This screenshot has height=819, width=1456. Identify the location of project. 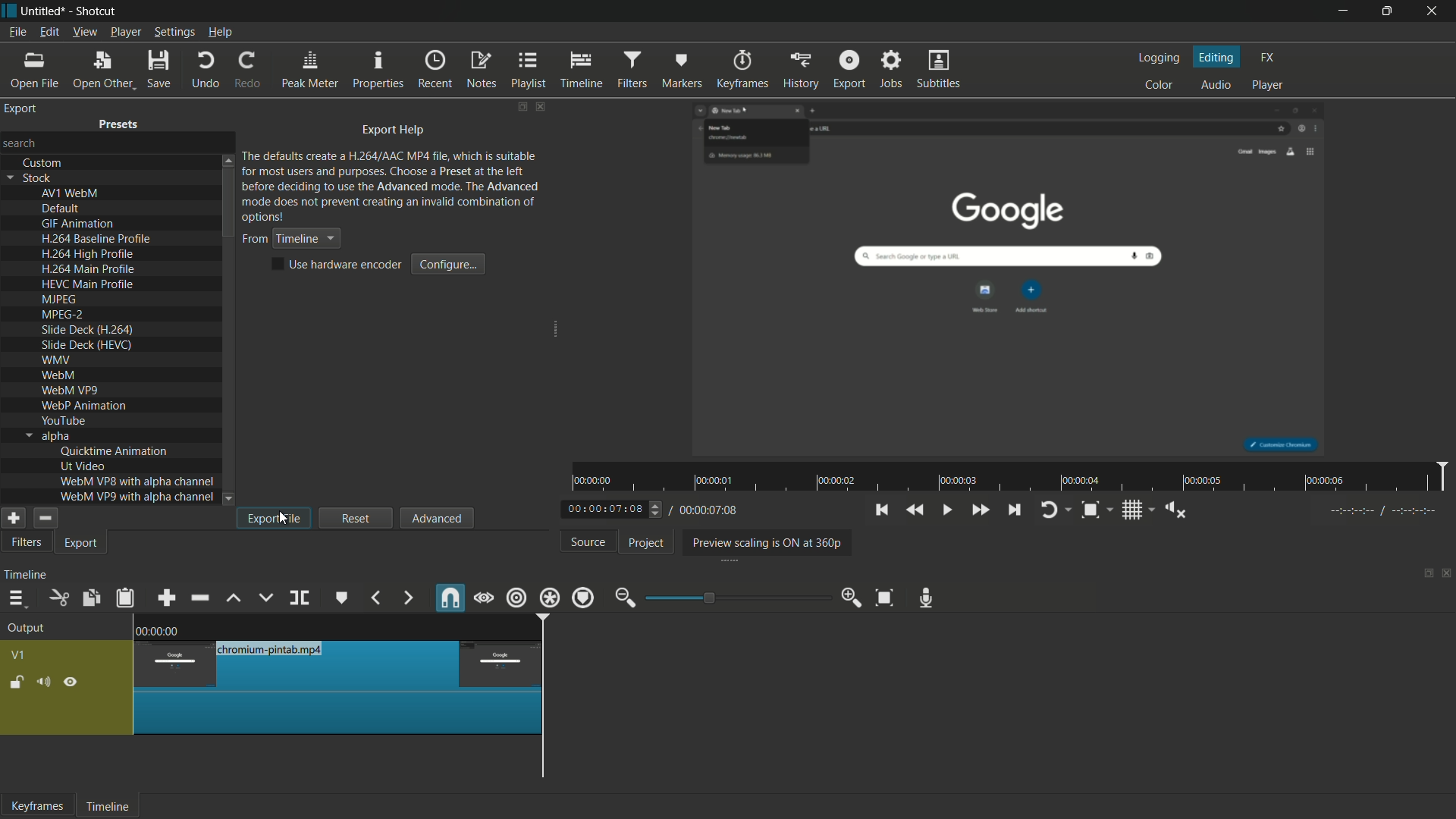
(647, 543).